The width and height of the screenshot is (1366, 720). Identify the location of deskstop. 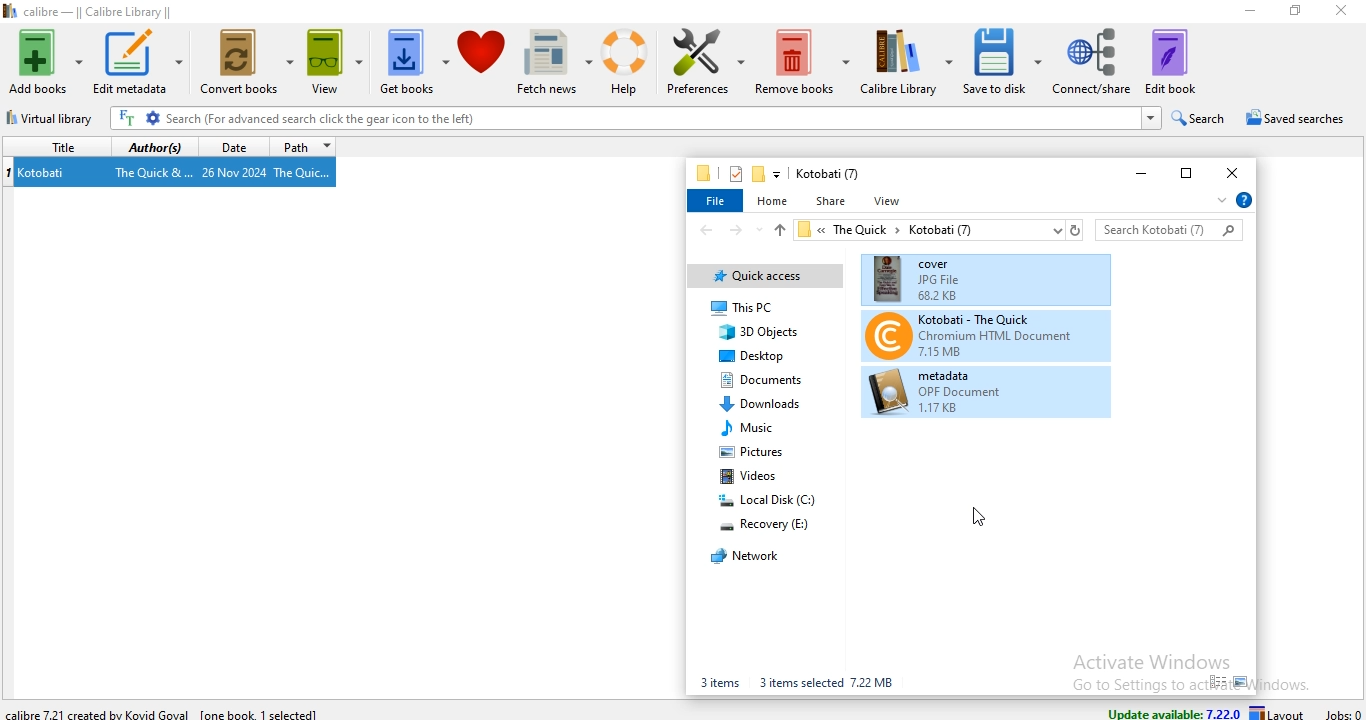
(752, 356).